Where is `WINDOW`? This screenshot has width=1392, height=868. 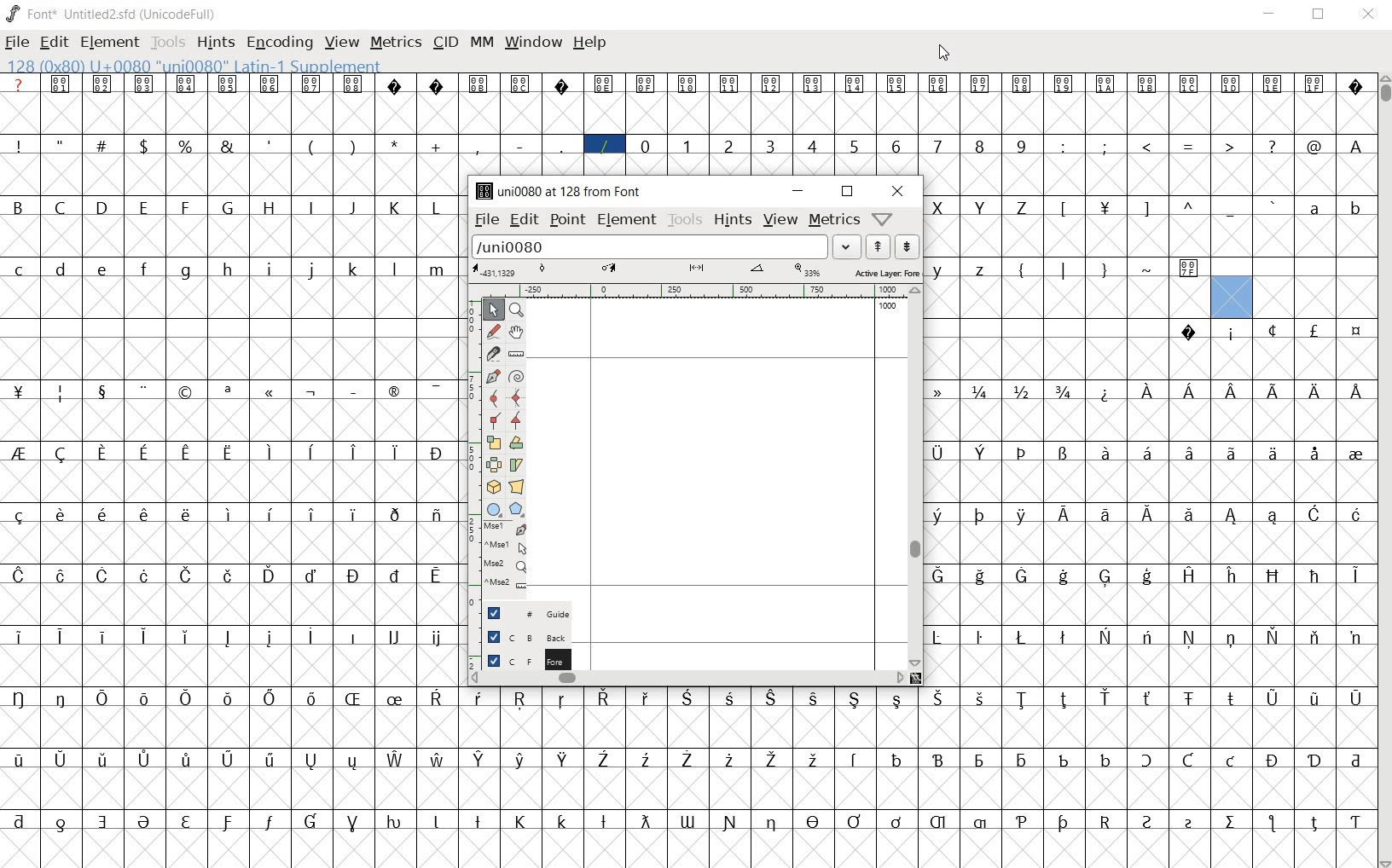
WINDOW is located at coordinates (531, 42).